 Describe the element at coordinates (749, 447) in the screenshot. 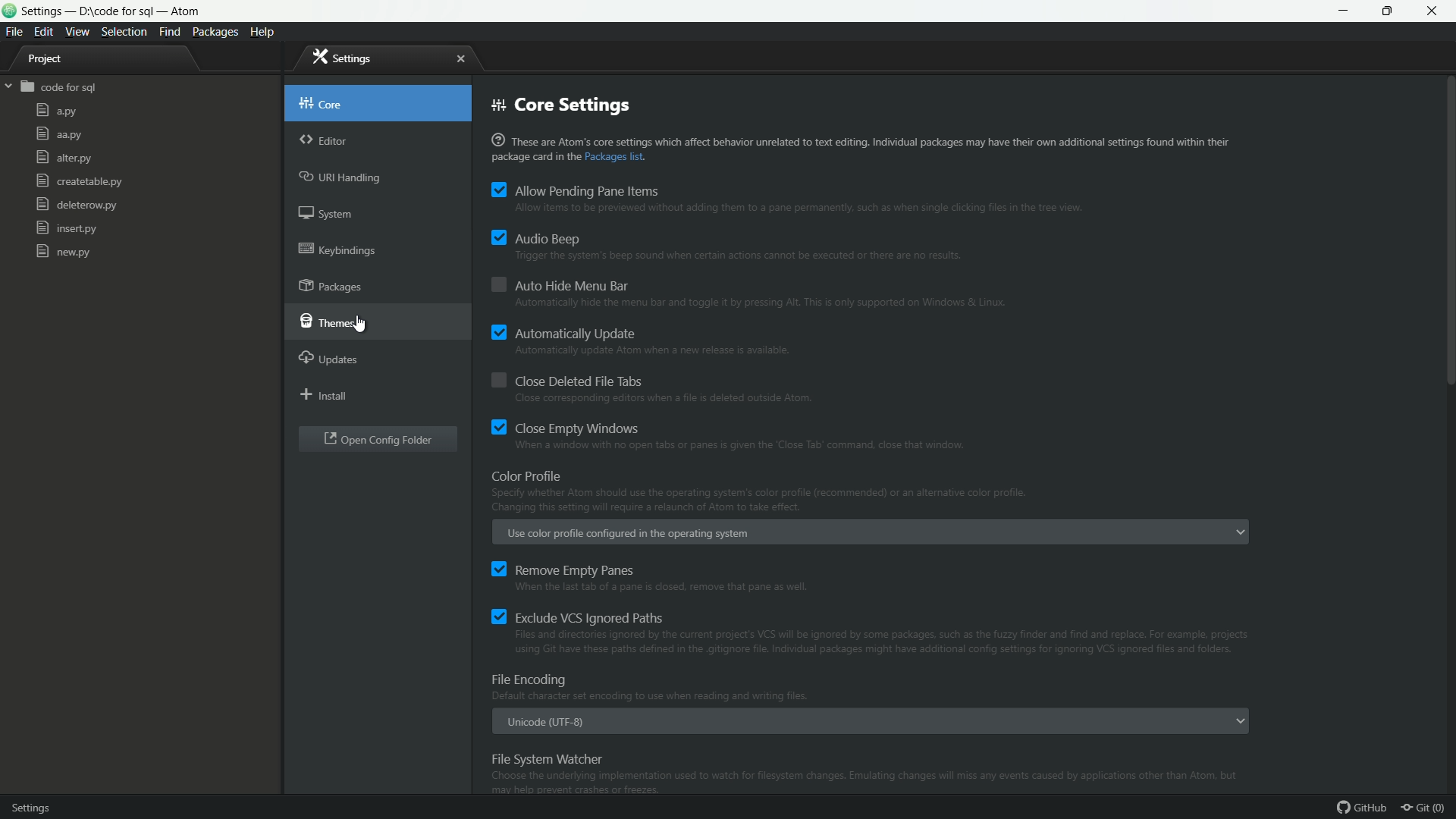

I see `when a window with no open tabs or panes is given the "close tab " command , close window` at that location.